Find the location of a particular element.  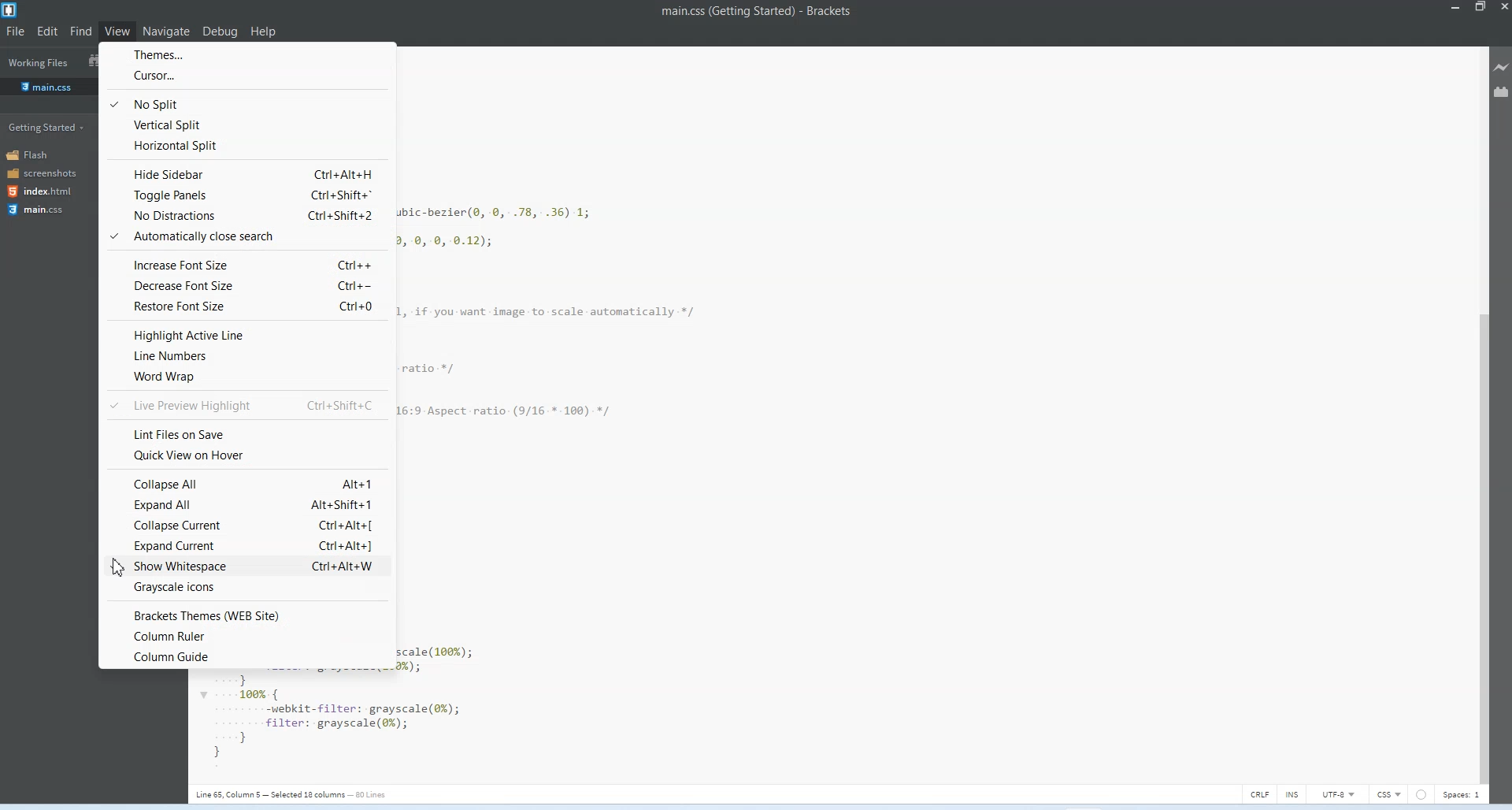

Brackets theme website is located at coordinates (246, 615).